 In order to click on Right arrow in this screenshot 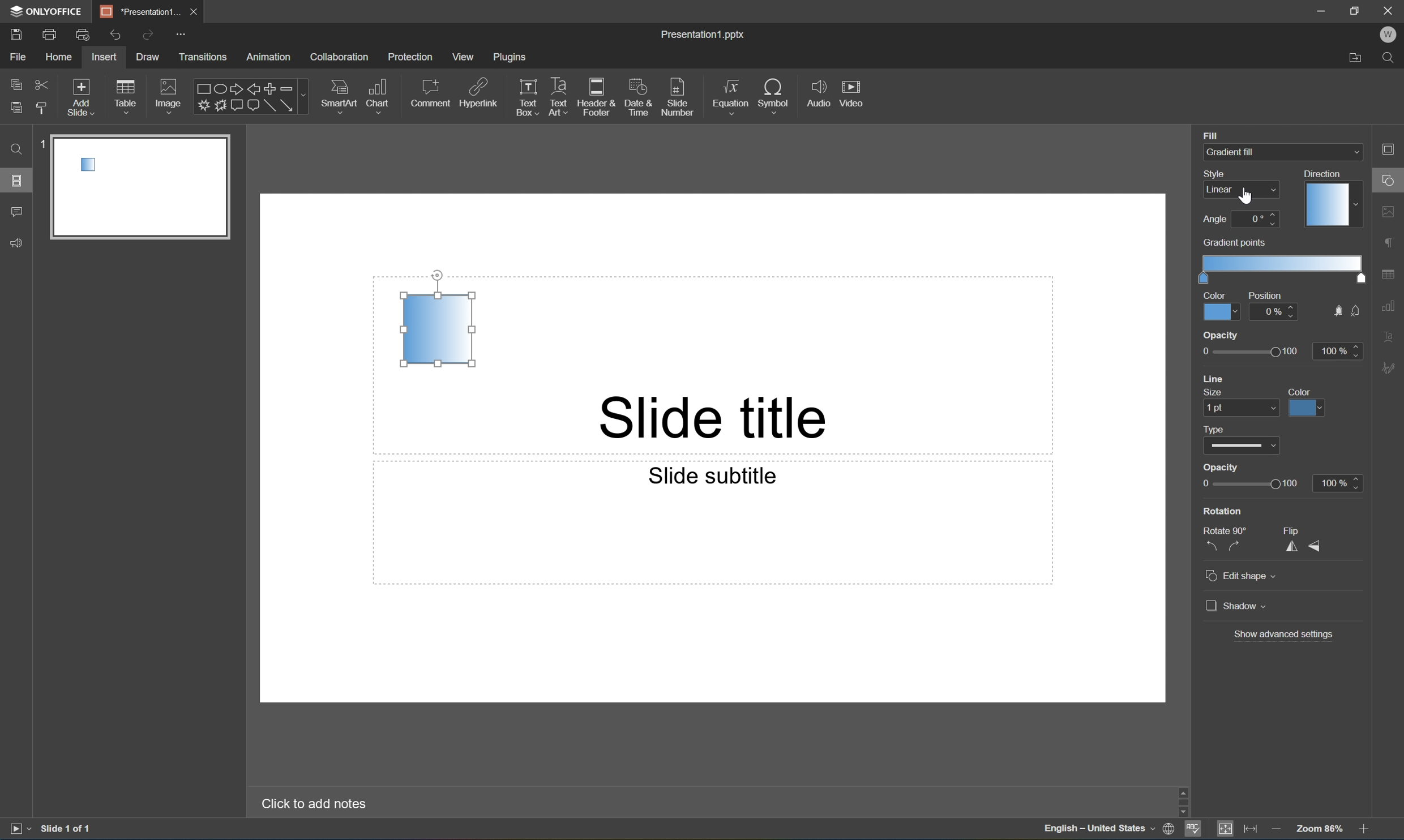, I will do `click(234, 89)`.